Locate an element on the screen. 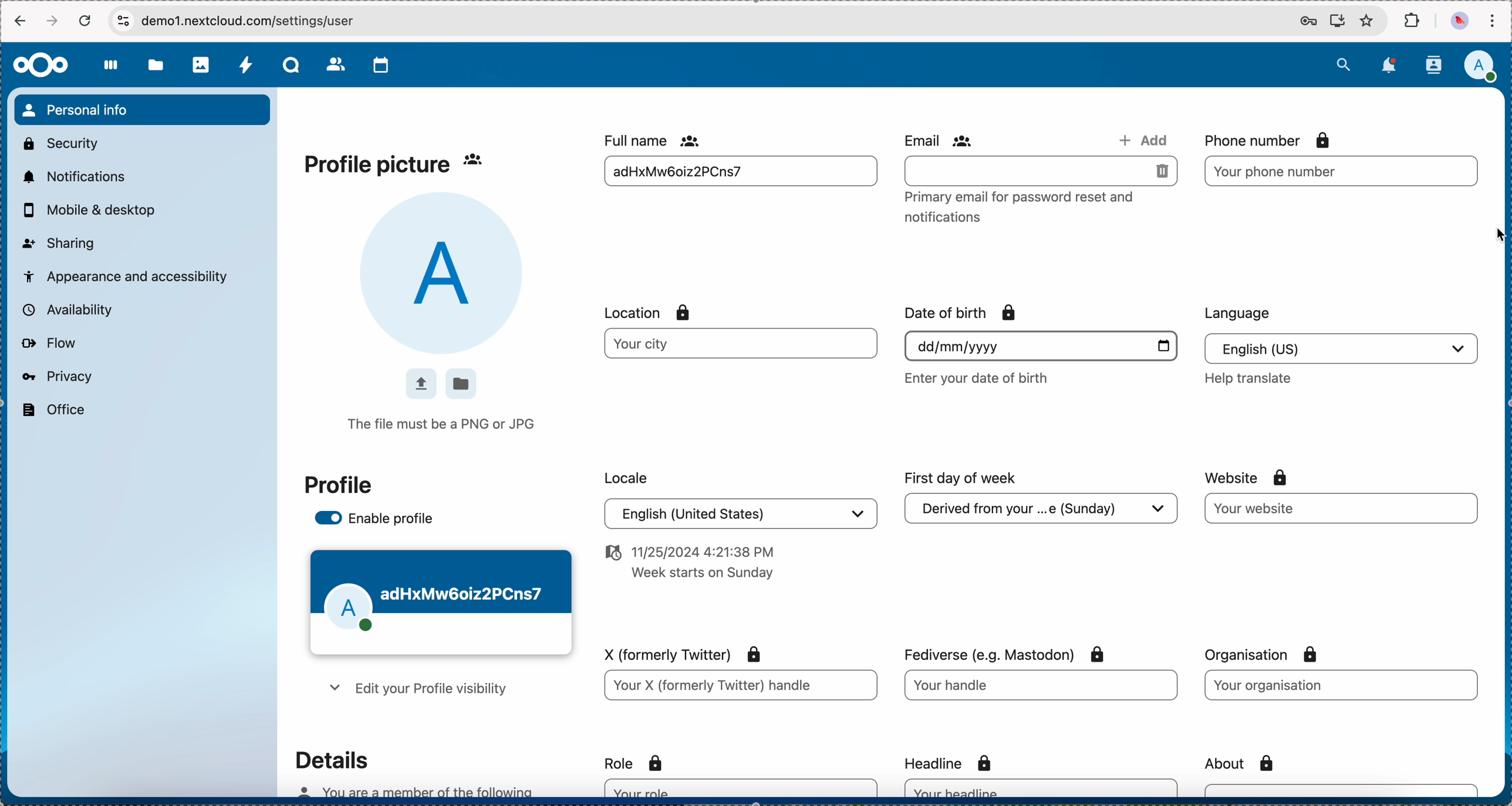 The image size is (1512, 806). flow is located at coordinates (48, 344).